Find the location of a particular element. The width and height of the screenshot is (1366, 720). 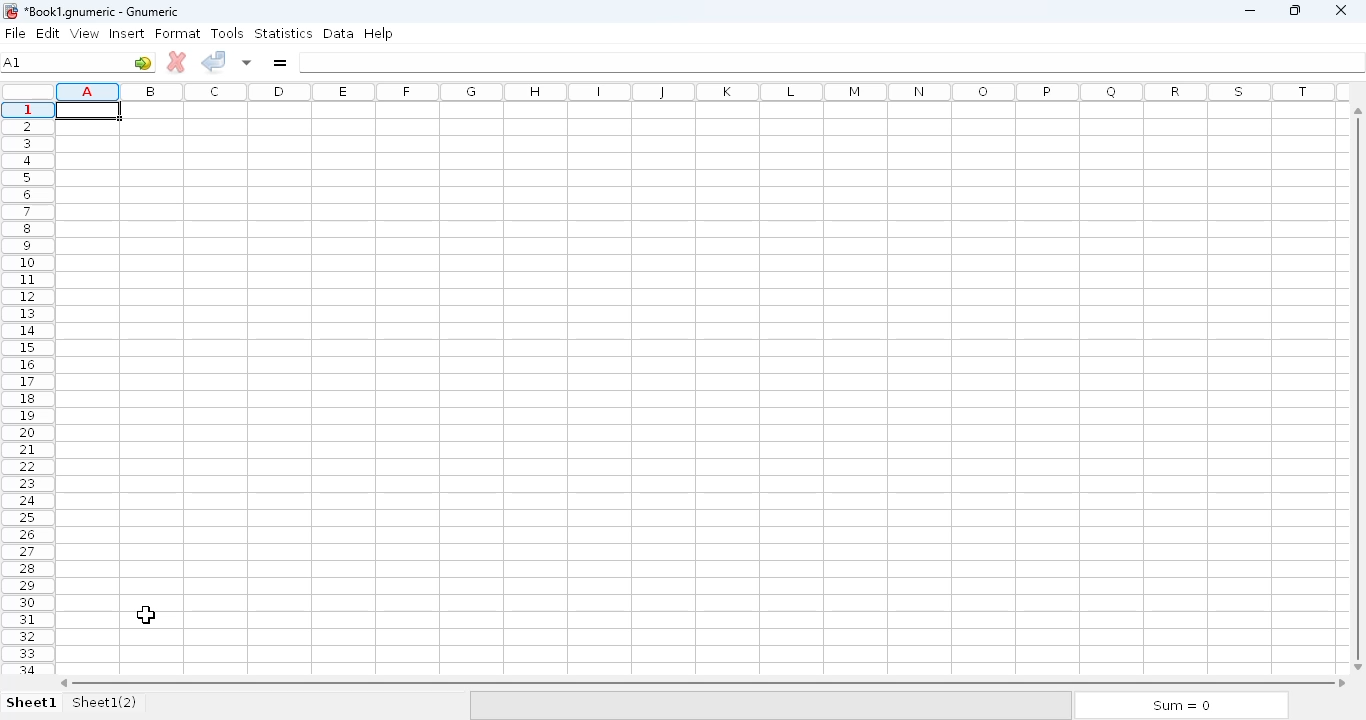

data is located at coordinates (339, 33).